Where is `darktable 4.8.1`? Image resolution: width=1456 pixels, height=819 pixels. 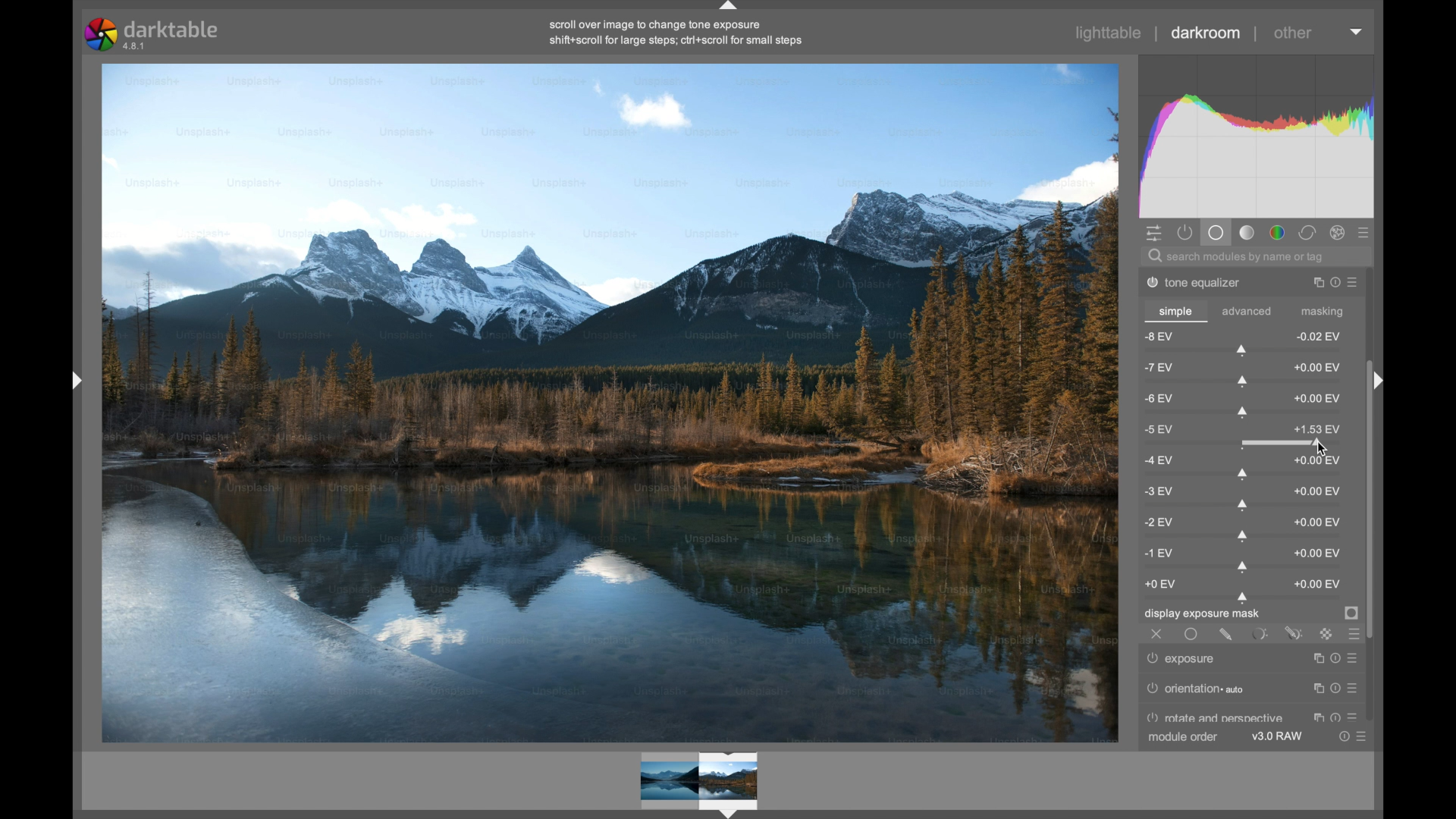
darktable 4.8.1 is located at coordinates (152, 34).